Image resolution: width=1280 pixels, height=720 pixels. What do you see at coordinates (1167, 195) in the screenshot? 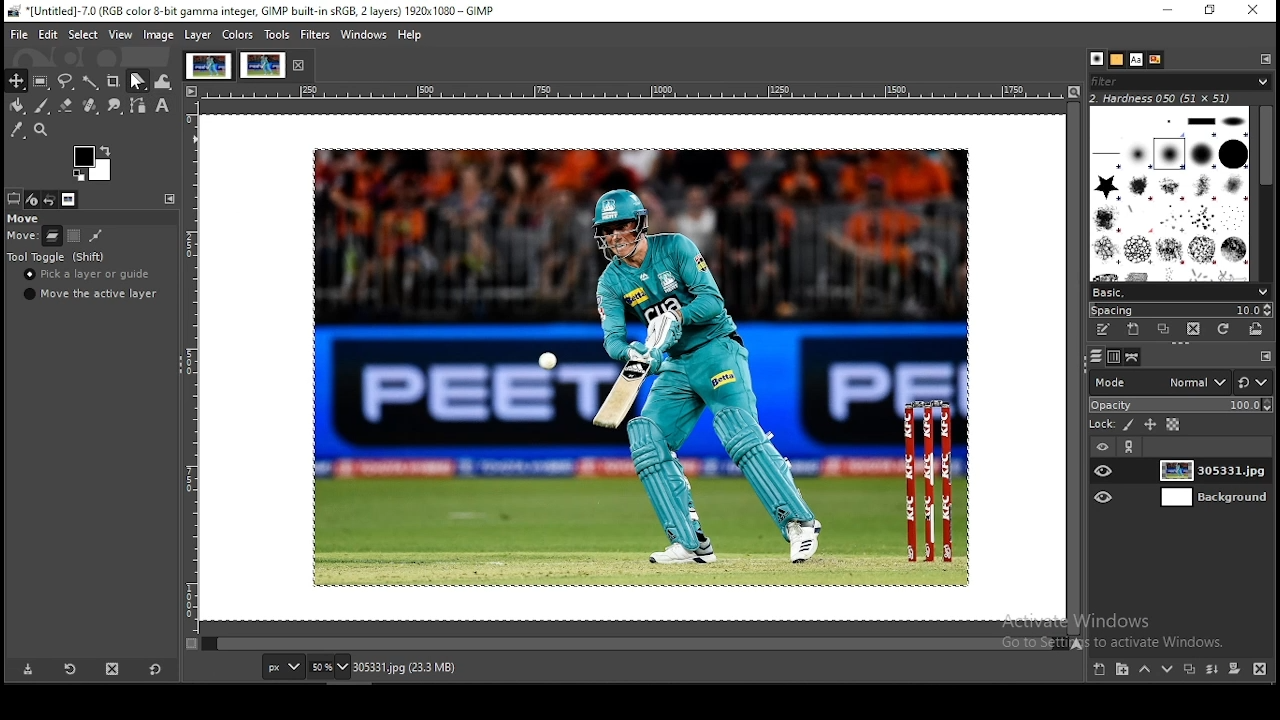
I see `brushes` at bounding box center [1167, 195].